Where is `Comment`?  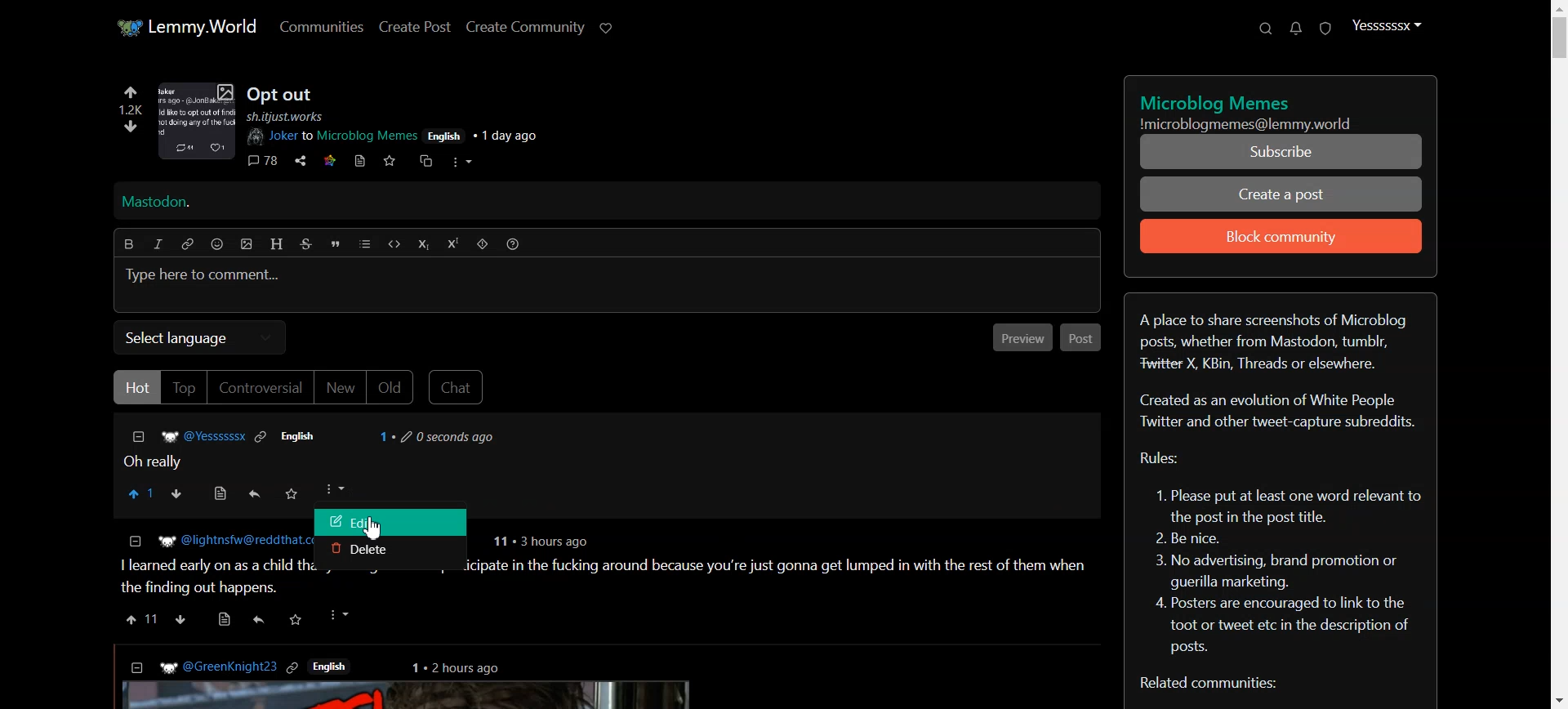
Comment is located at coordinates (325, 447).